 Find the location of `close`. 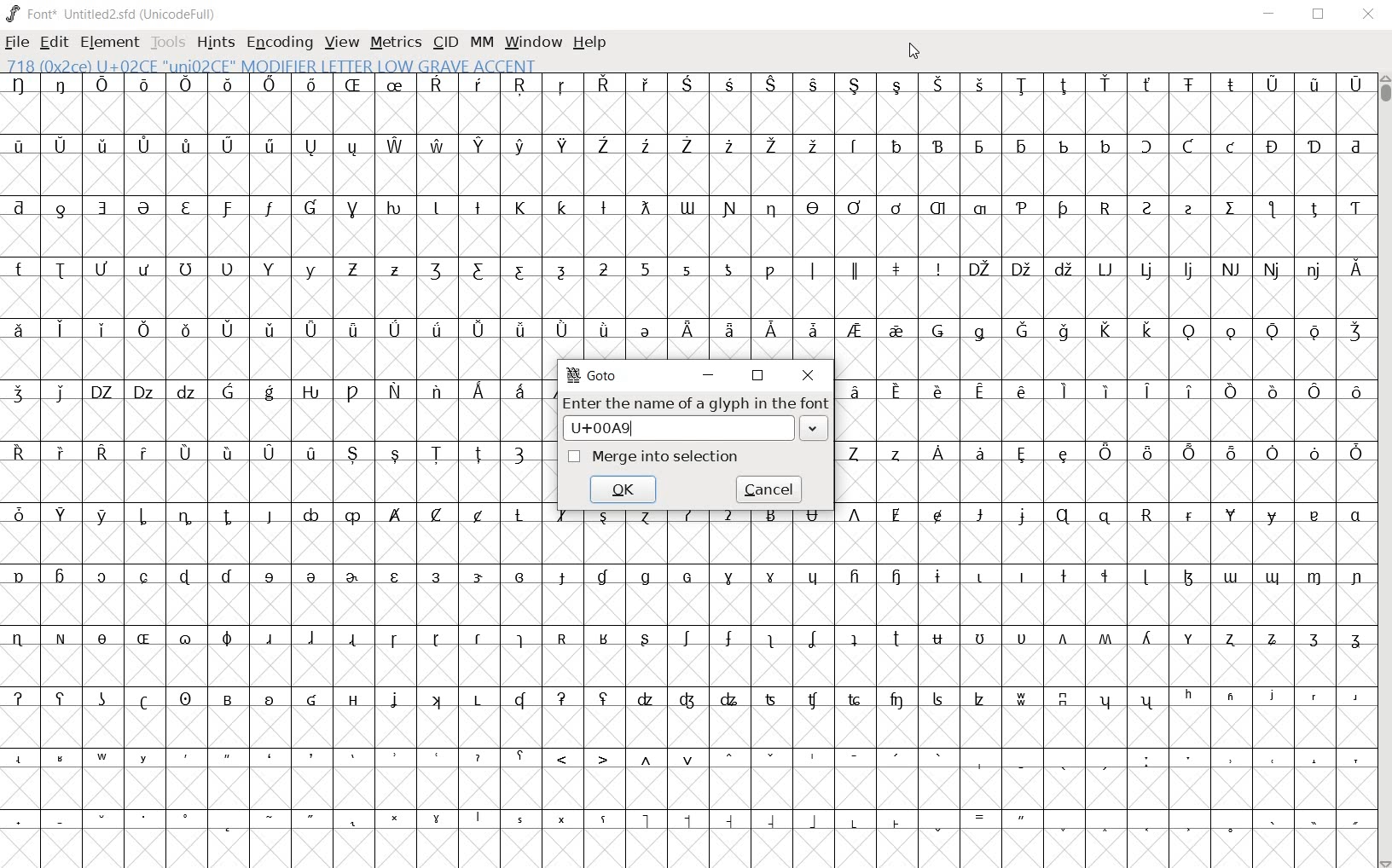

close is located at coordinates (809, 374).